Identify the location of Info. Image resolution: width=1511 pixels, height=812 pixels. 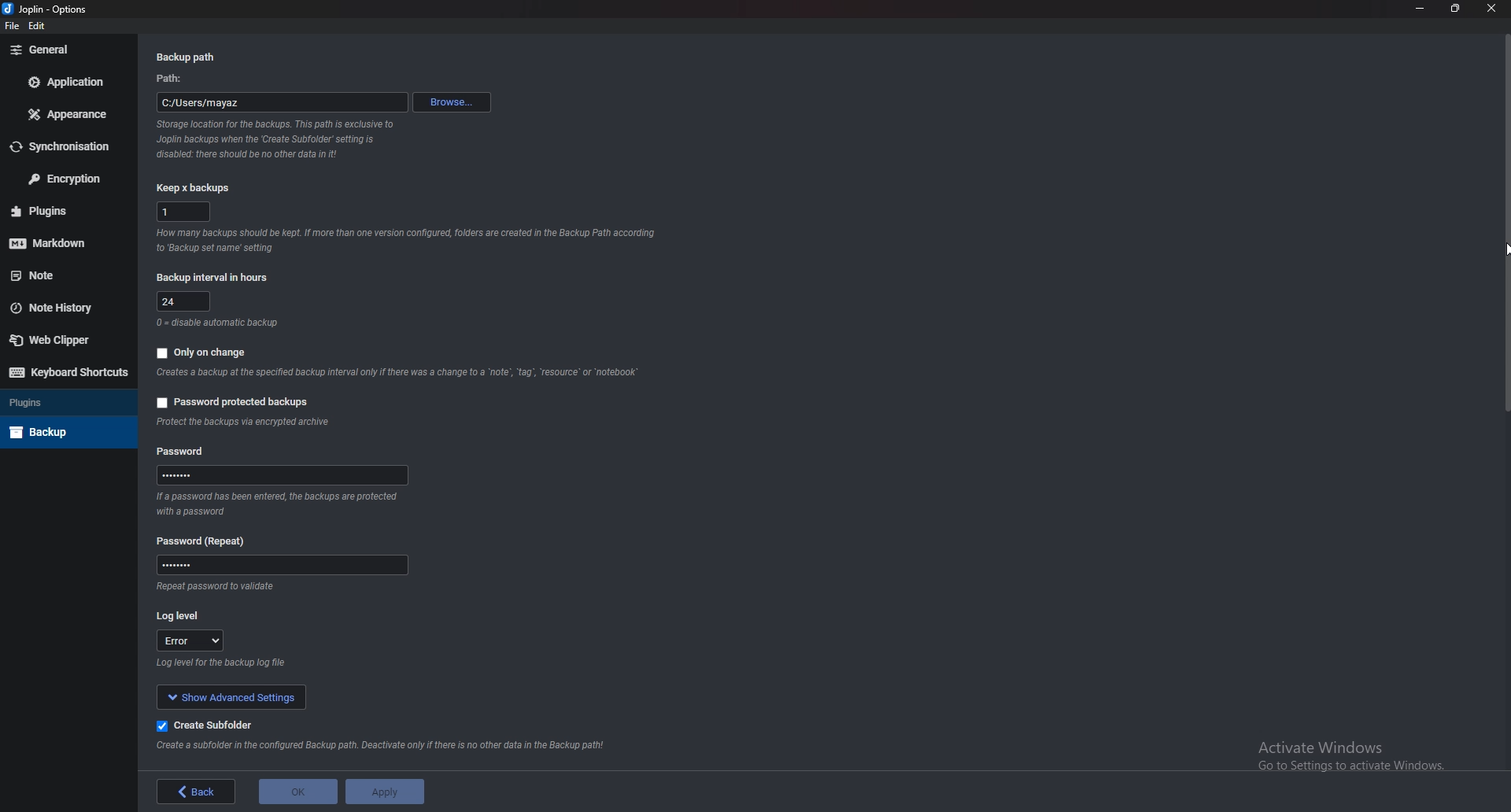
(395, 373).